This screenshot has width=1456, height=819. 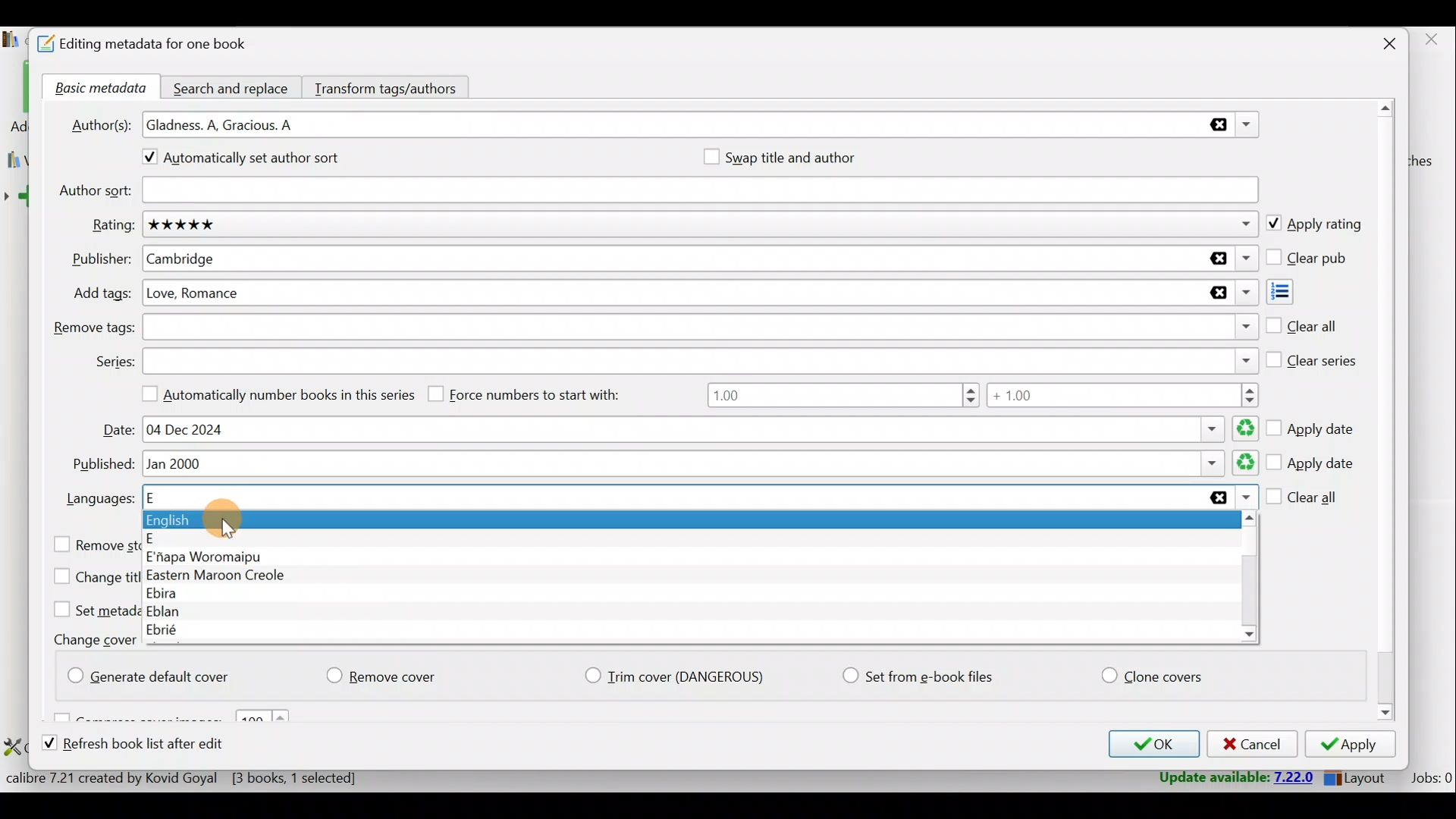 I want to click on Add tags, so click(x=1294, y=292).